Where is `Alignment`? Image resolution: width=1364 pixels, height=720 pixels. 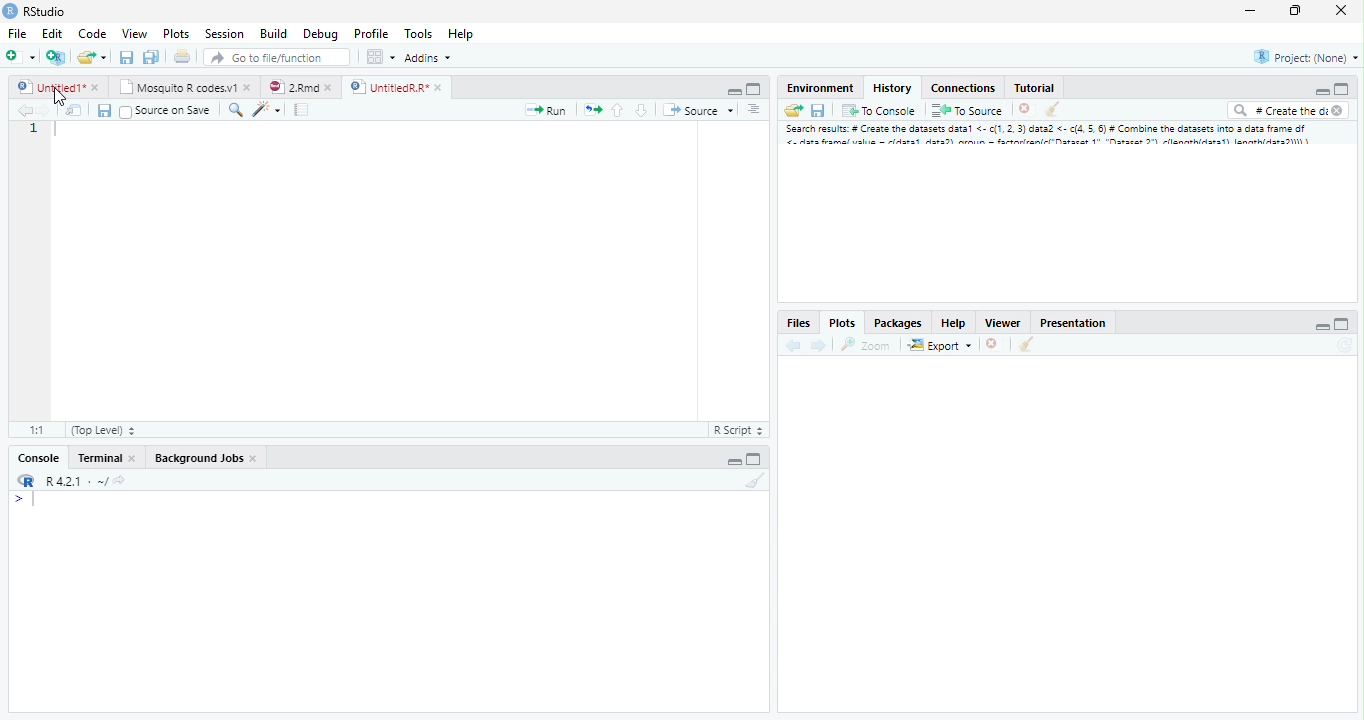 Alignment is located at coordinates (755, 113).